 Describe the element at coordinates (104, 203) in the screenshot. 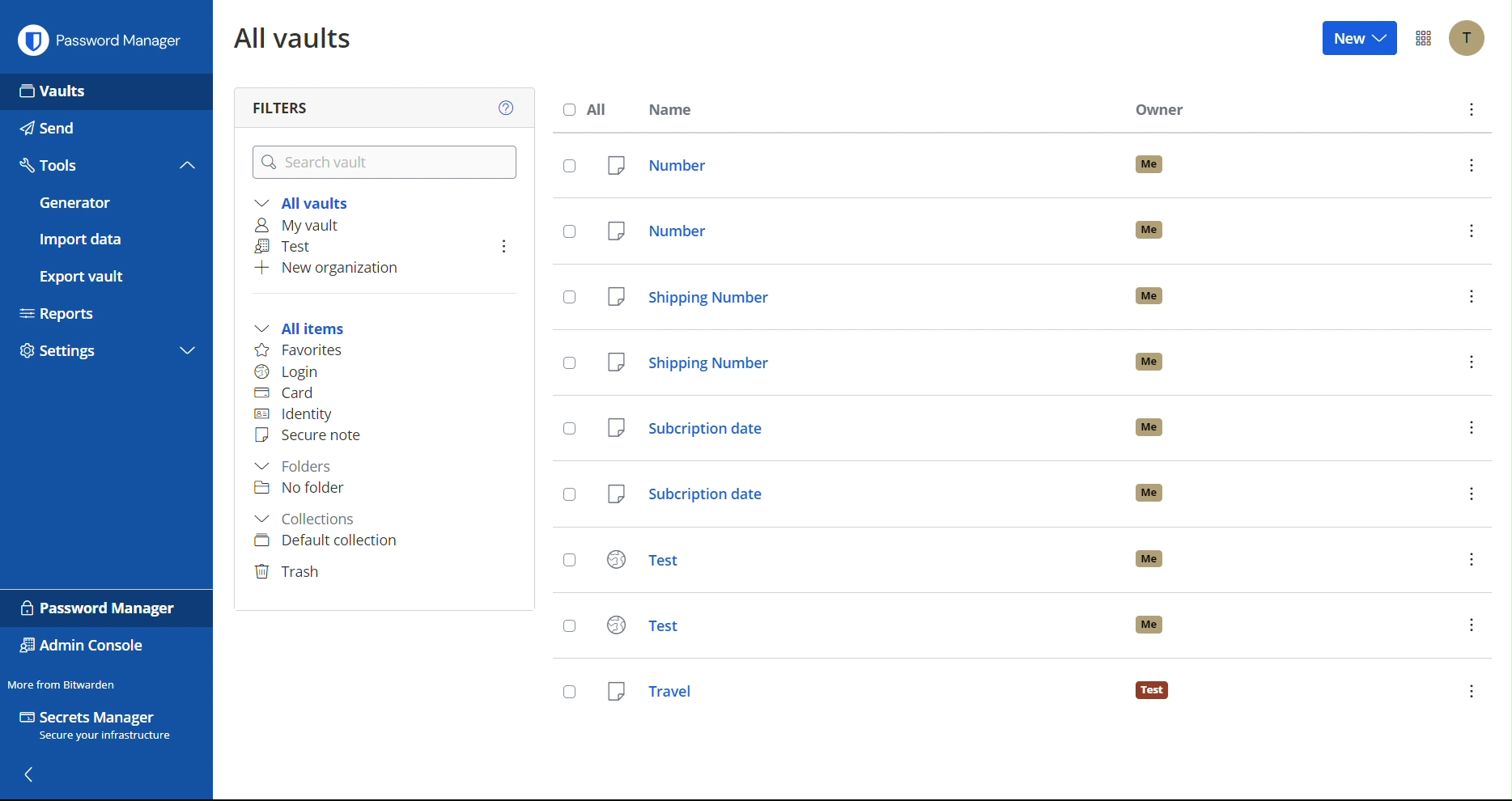

I see `Generator` at that location.